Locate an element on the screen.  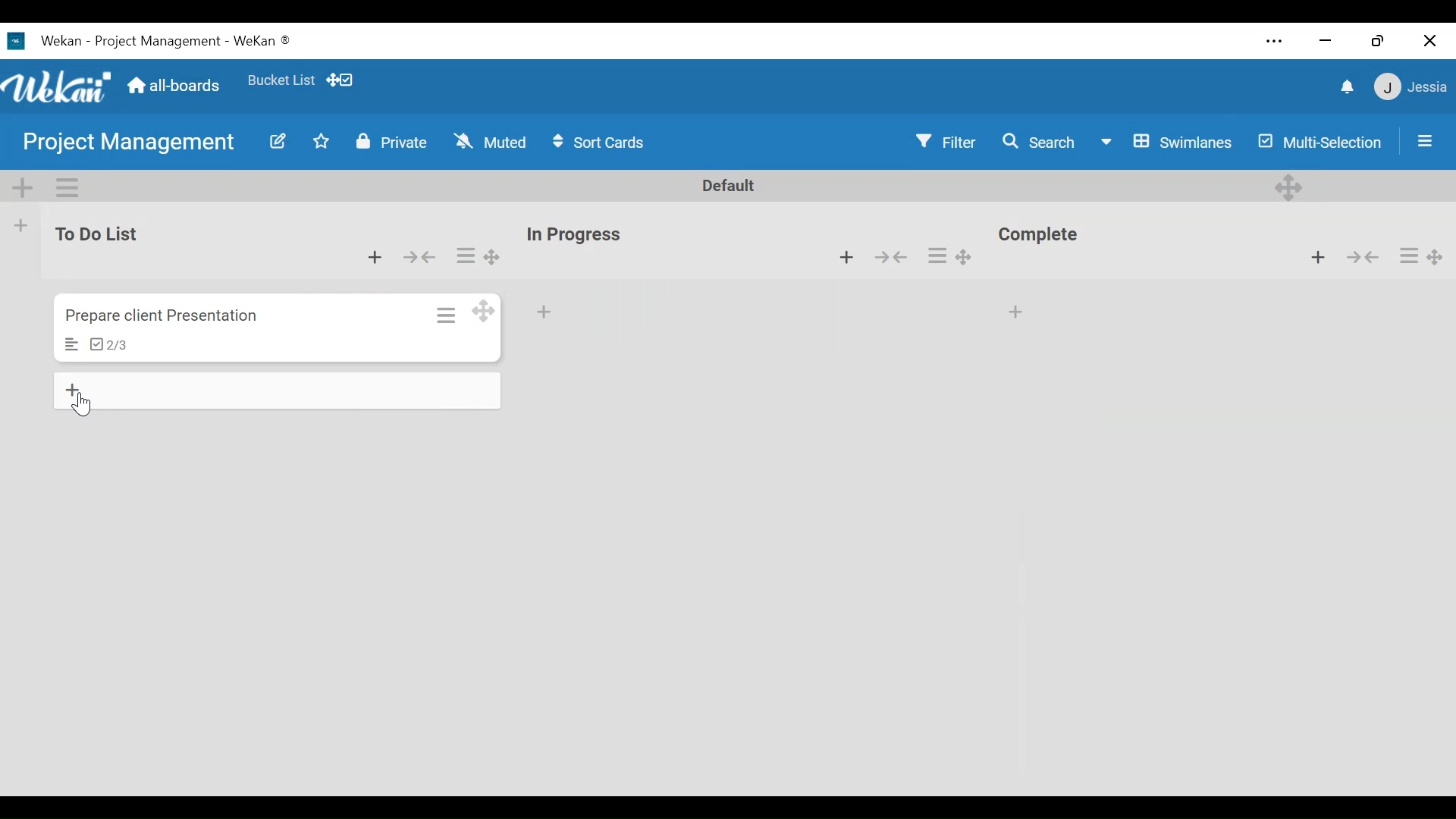
Filter is located at coordinates (947, 142).